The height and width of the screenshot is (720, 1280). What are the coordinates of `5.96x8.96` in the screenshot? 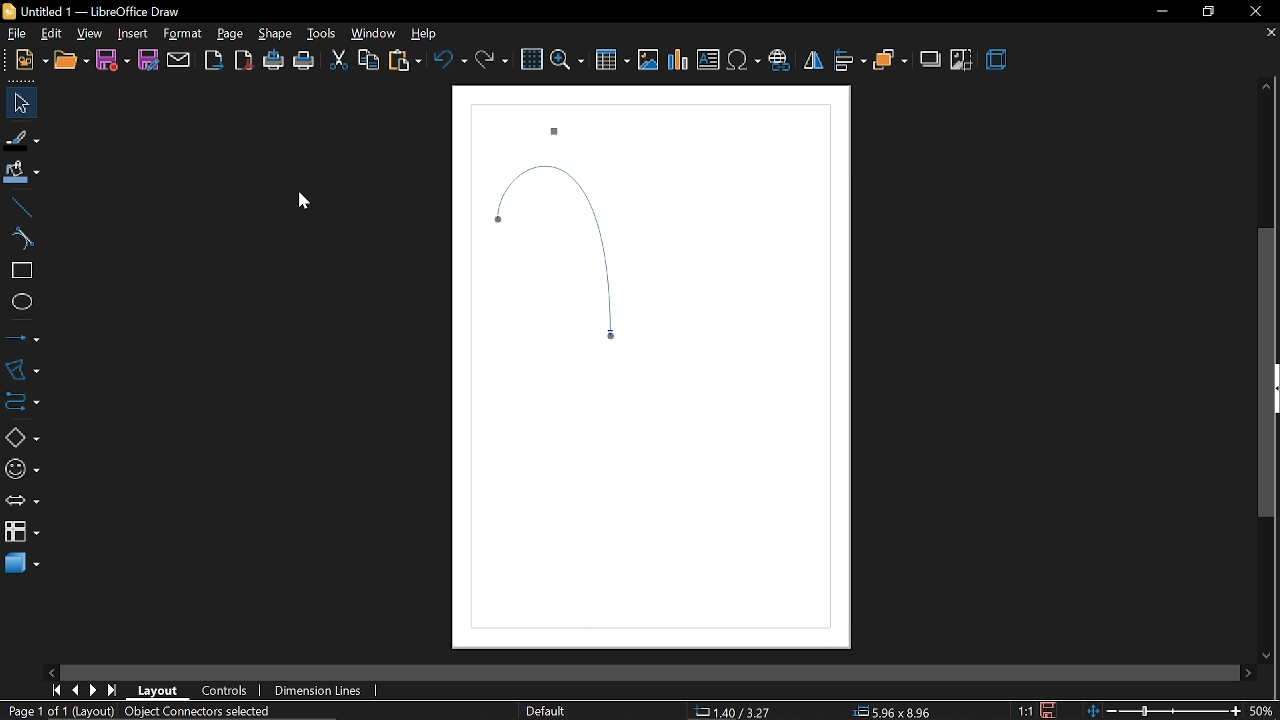 It's located at (900, 710).